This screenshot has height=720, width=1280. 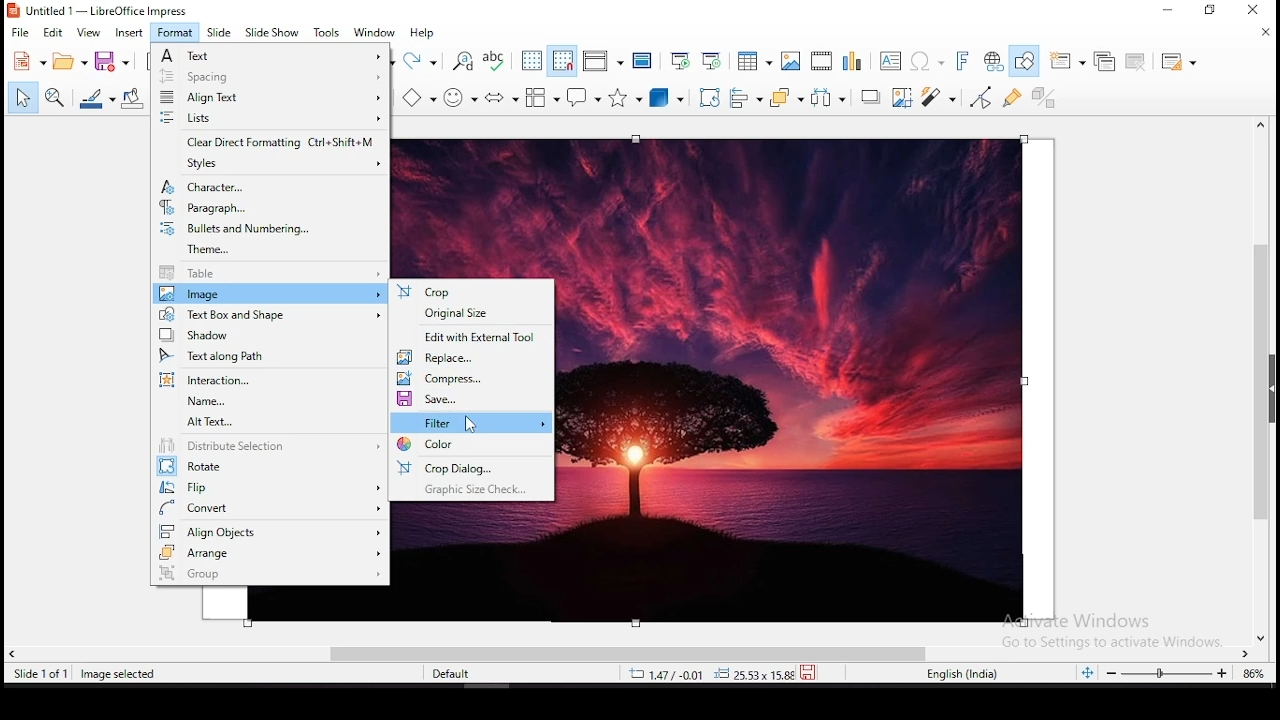 What do you see at coordinates (712, 59) in the screenshot?
I see `start from current slide` at bounding box center [712, 59].